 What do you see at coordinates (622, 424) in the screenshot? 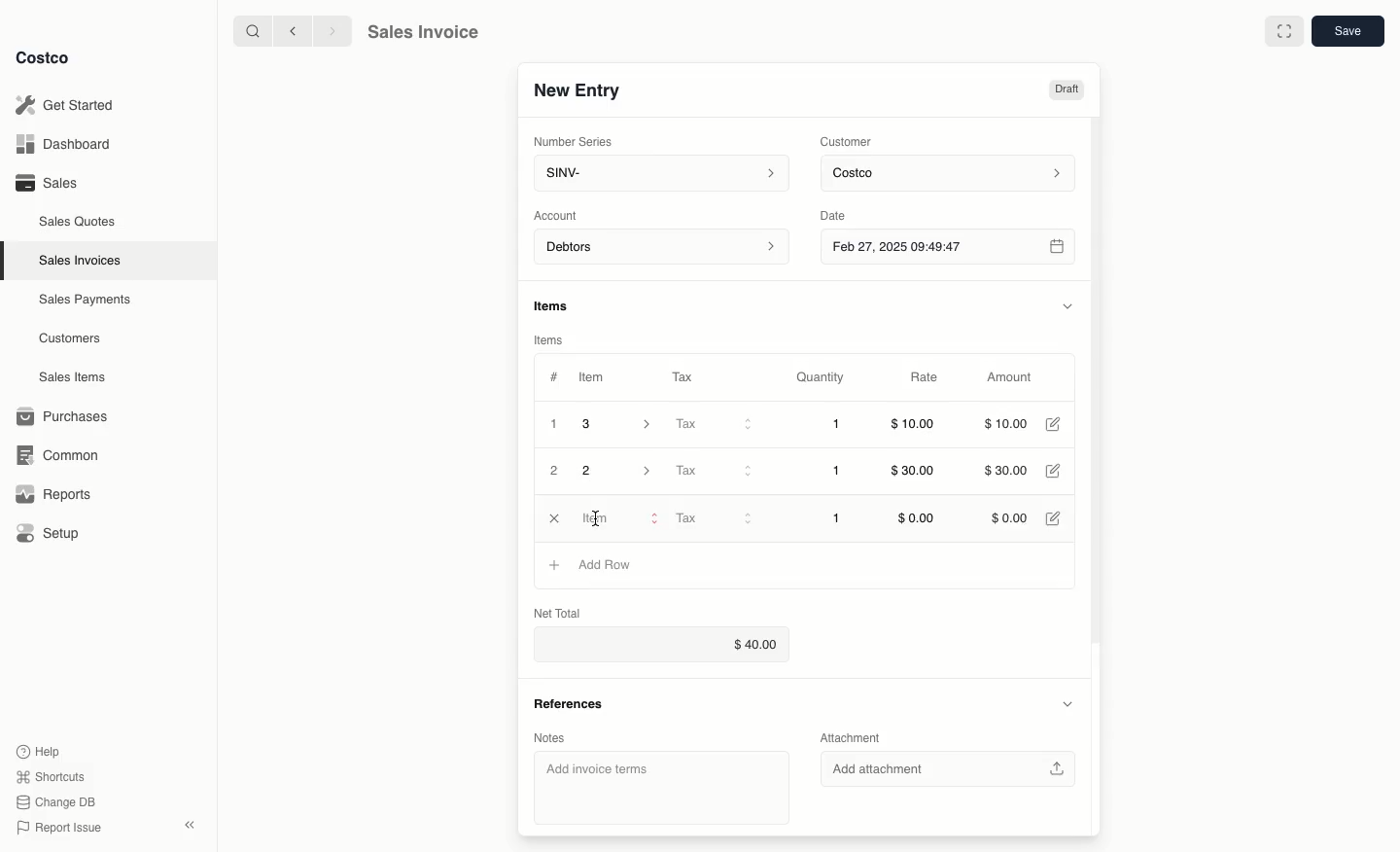
I see `3` at bounding box center [622, 424].